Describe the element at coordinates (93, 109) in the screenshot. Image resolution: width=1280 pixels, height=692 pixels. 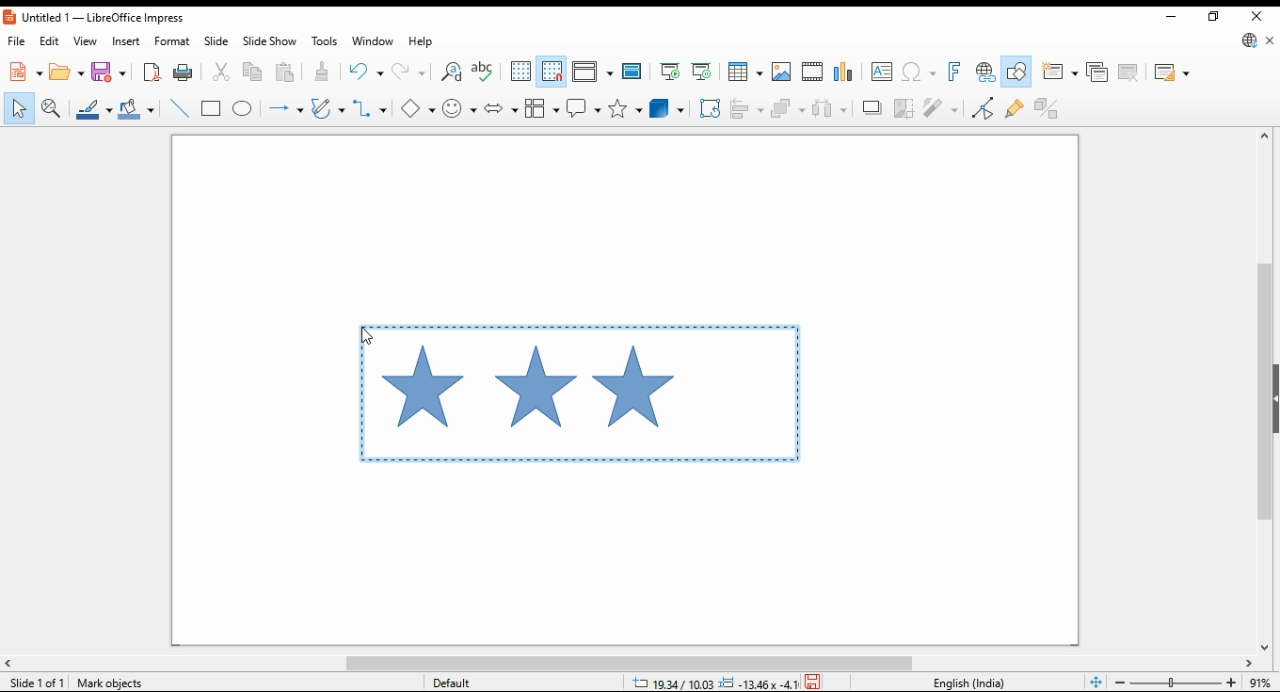
I see `line color` at that location.